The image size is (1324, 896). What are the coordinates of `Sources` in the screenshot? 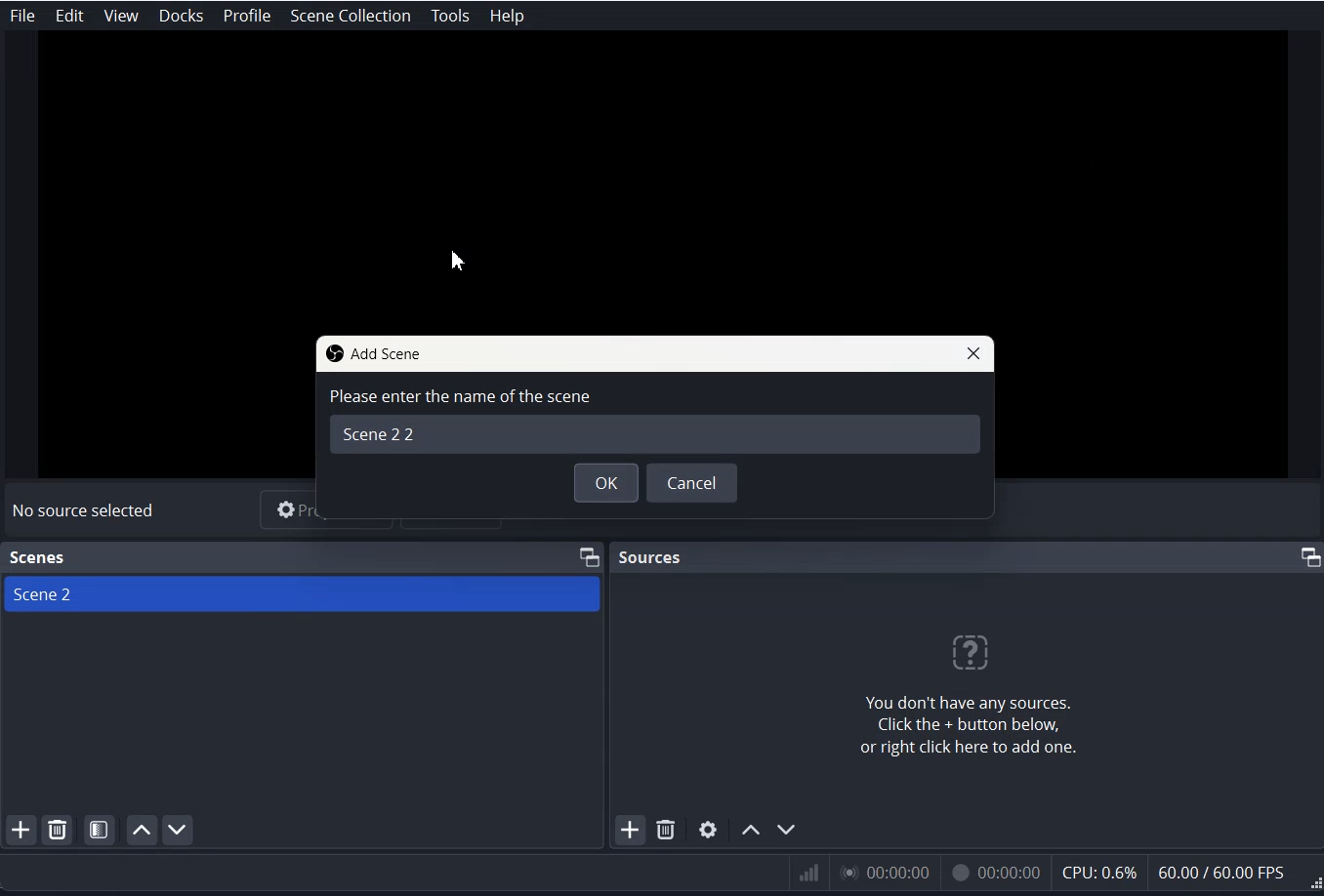 It's located at (651, 555).